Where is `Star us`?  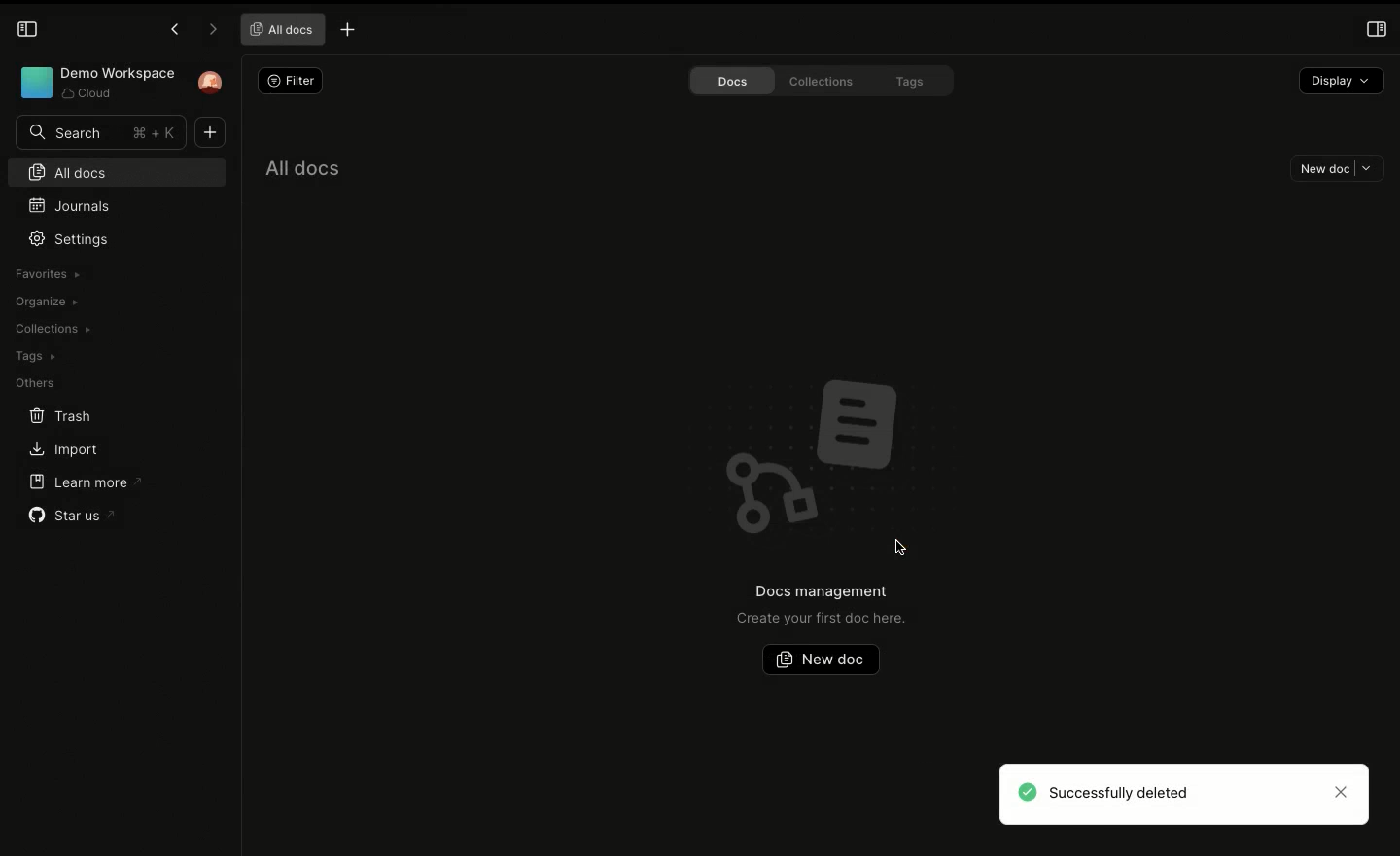 Star us is located at coordinates (70, 512).